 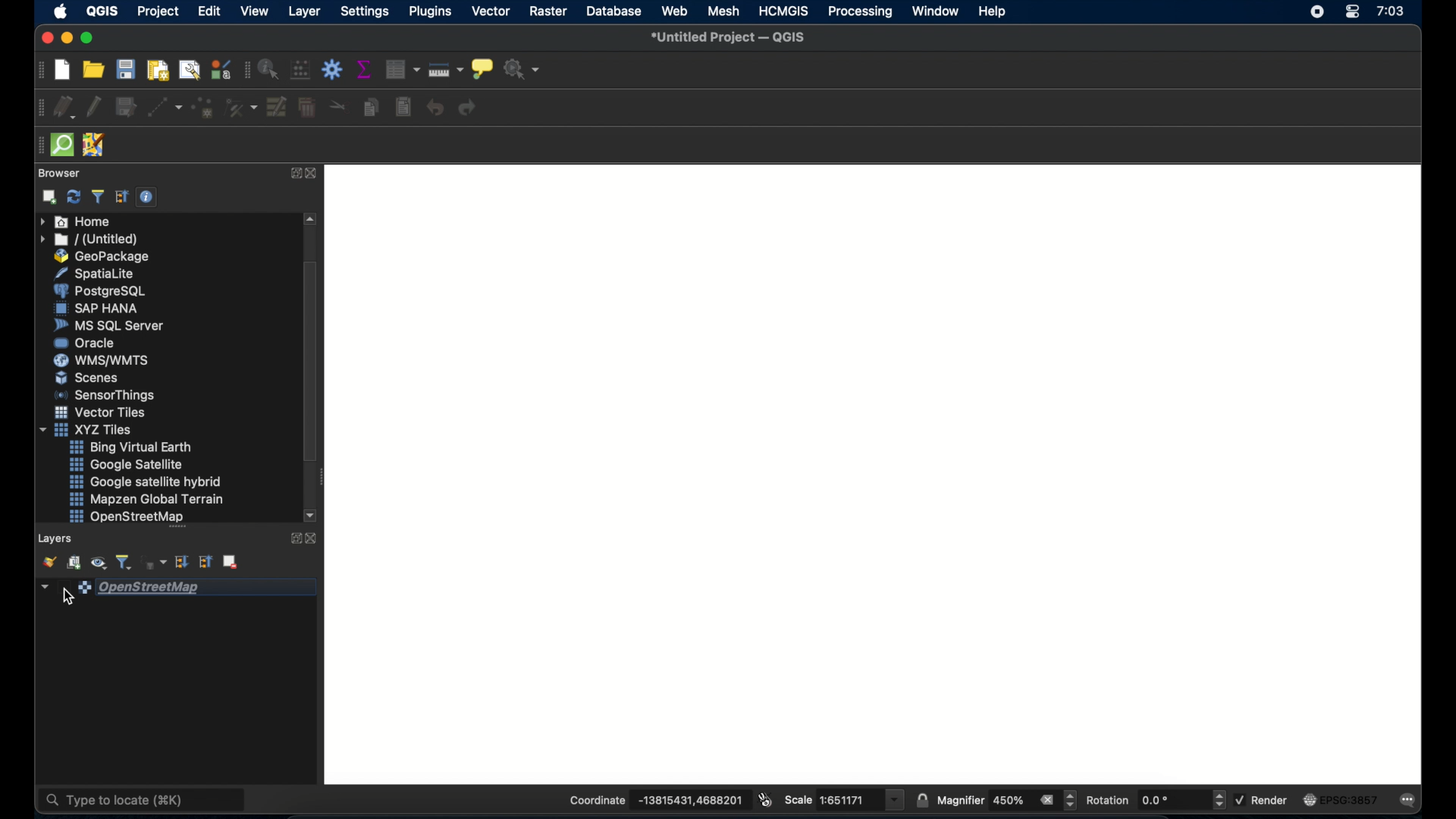 I want to click on render, so click(x=1265, y=801).